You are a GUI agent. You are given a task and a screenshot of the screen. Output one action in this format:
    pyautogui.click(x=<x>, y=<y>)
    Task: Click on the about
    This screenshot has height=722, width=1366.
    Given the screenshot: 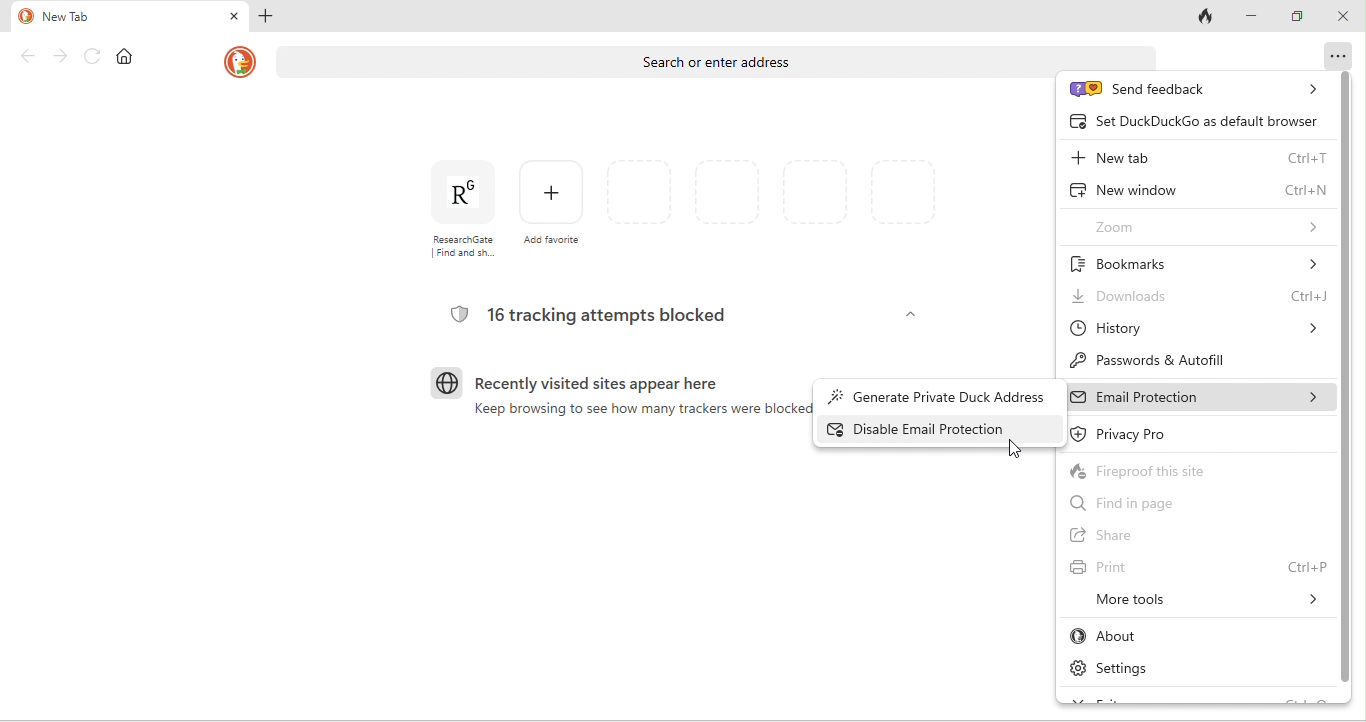 What is the action you would take?
    pyautogui.click(x=1142, y=636)
    